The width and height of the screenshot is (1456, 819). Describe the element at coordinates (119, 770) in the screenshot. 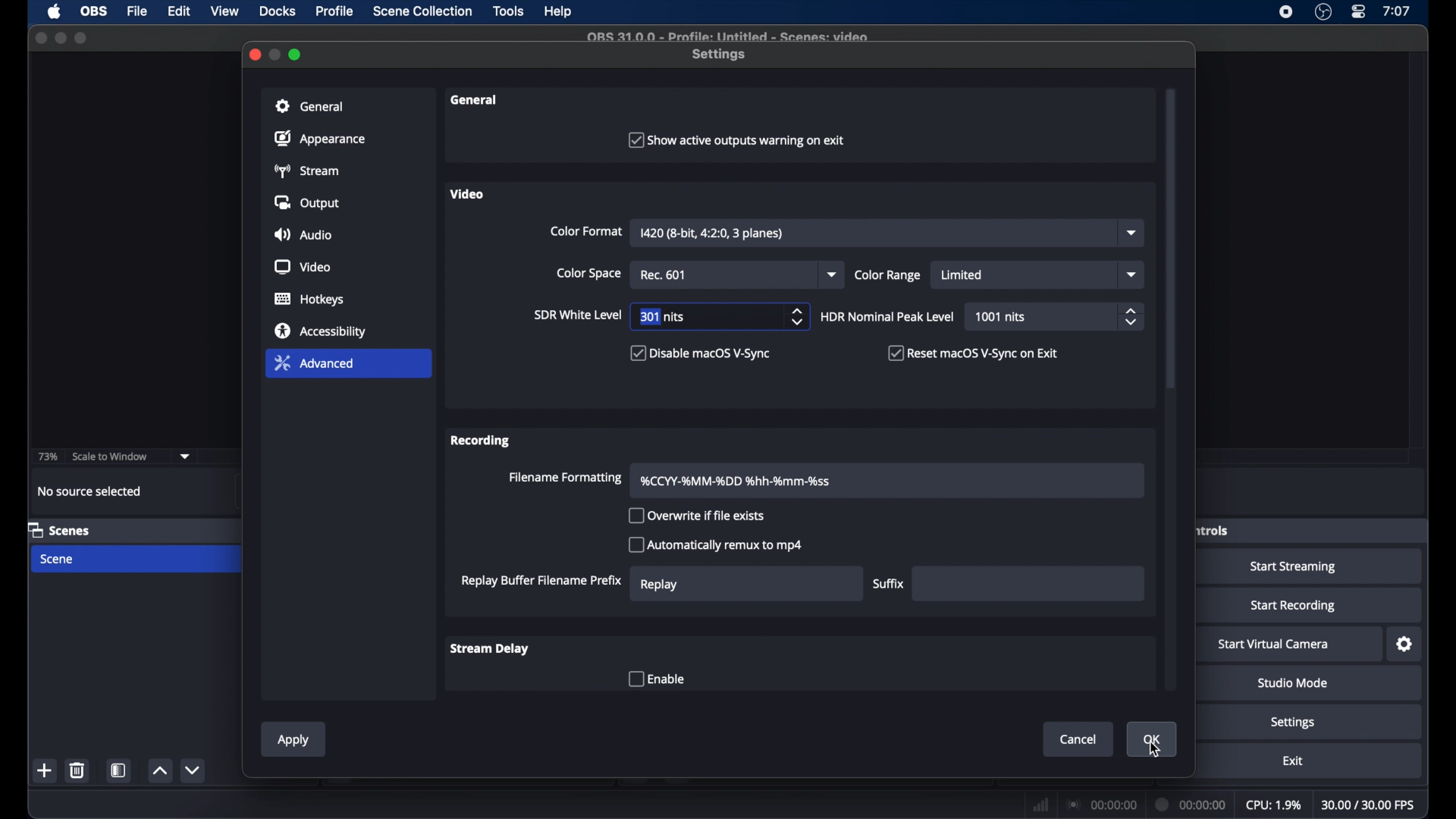

I see `scene filters` at that location.